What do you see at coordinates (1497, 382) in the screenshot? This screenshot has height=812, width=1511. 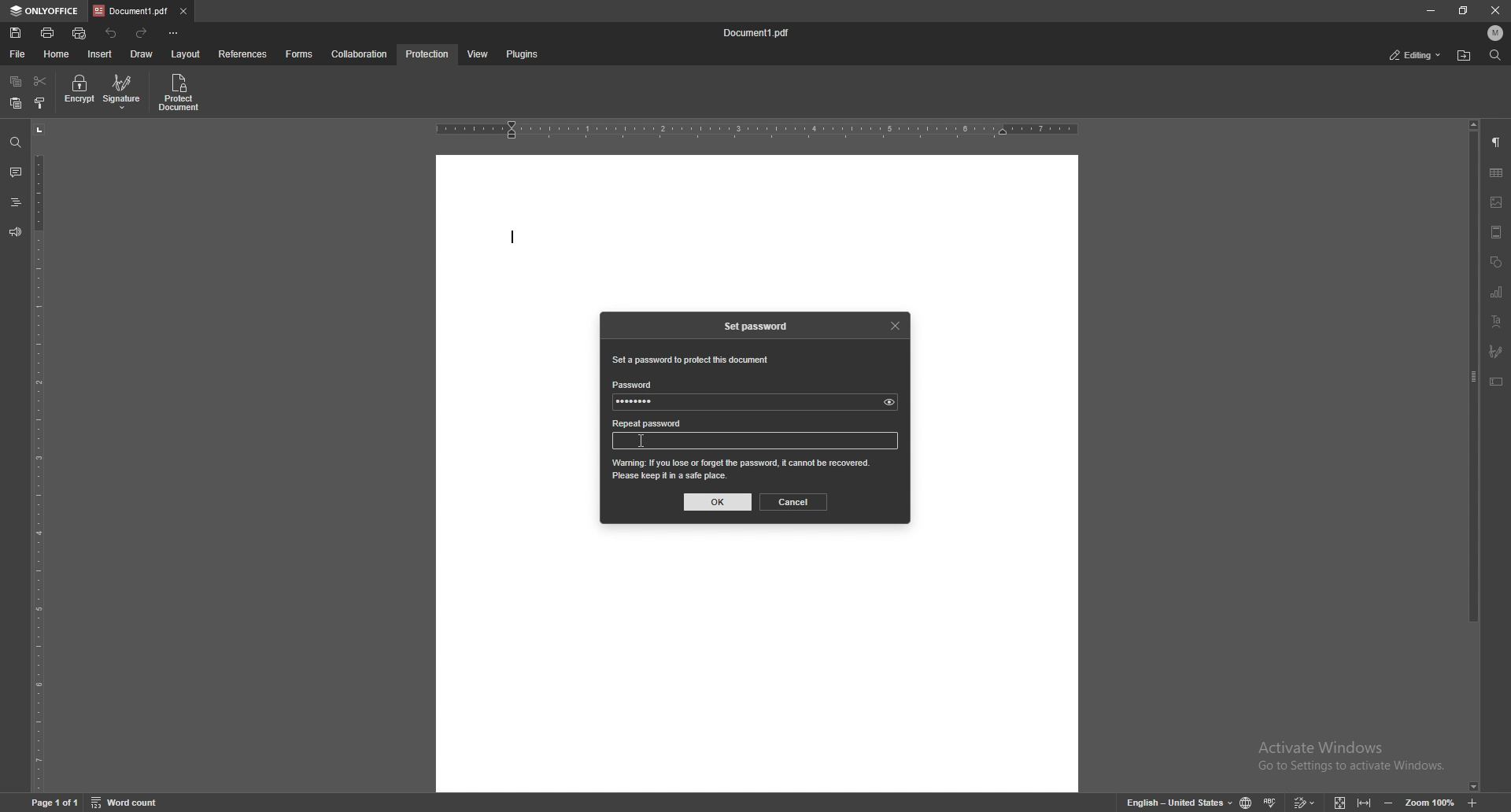 I see `text box` at bounding box center [1497, 382].